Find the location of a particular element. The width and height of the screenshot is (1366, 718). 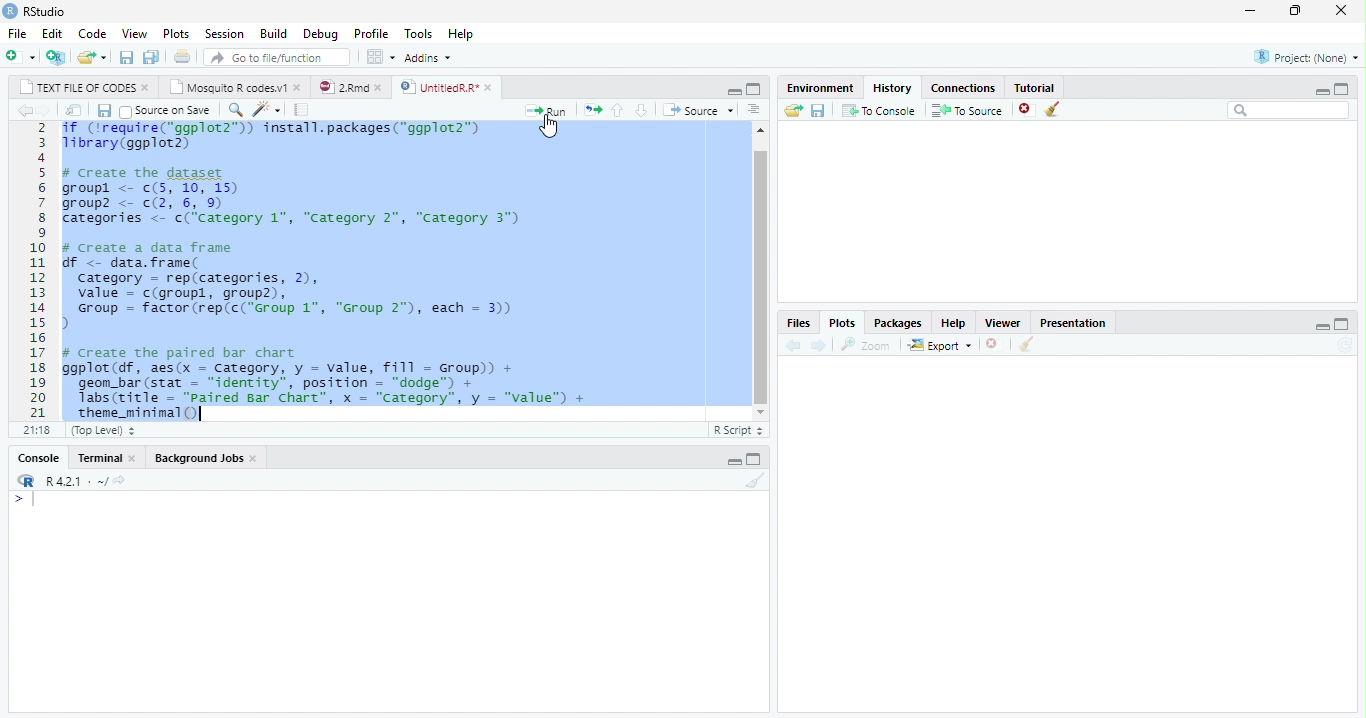

clear console is located at coordinates (754, 482).